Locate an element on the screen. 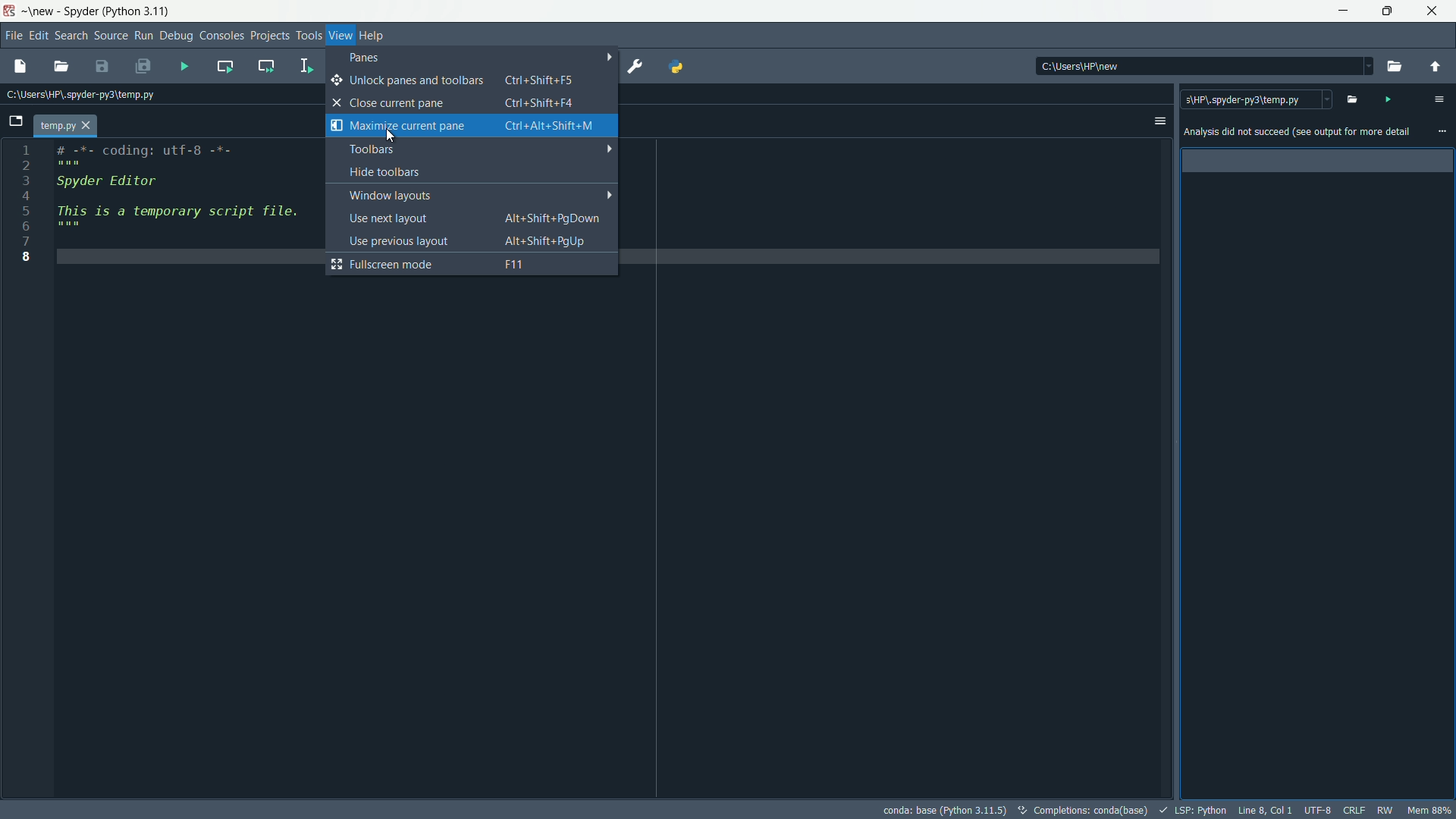  unlock panes and toolbars is located at coordinates (472, 82).